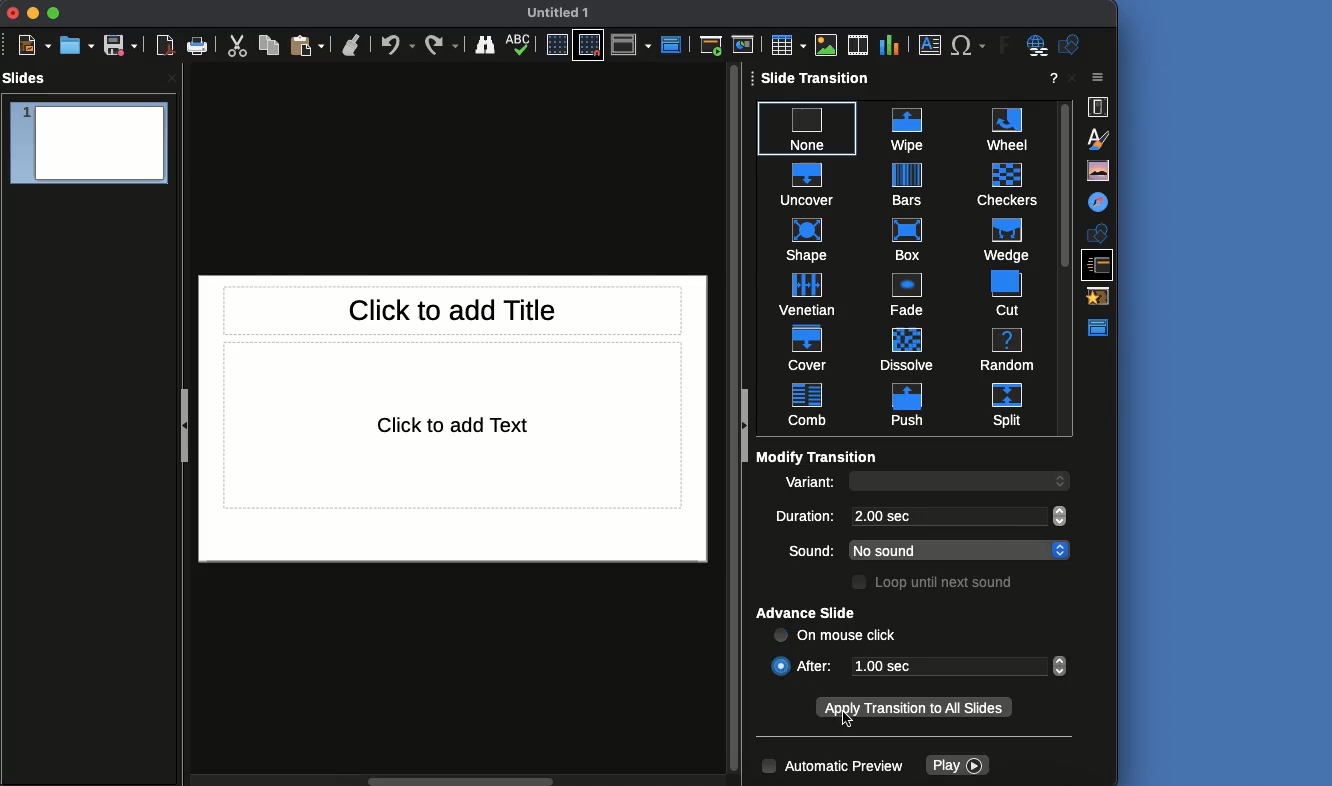  I want to click on fade, so click(905, 292).